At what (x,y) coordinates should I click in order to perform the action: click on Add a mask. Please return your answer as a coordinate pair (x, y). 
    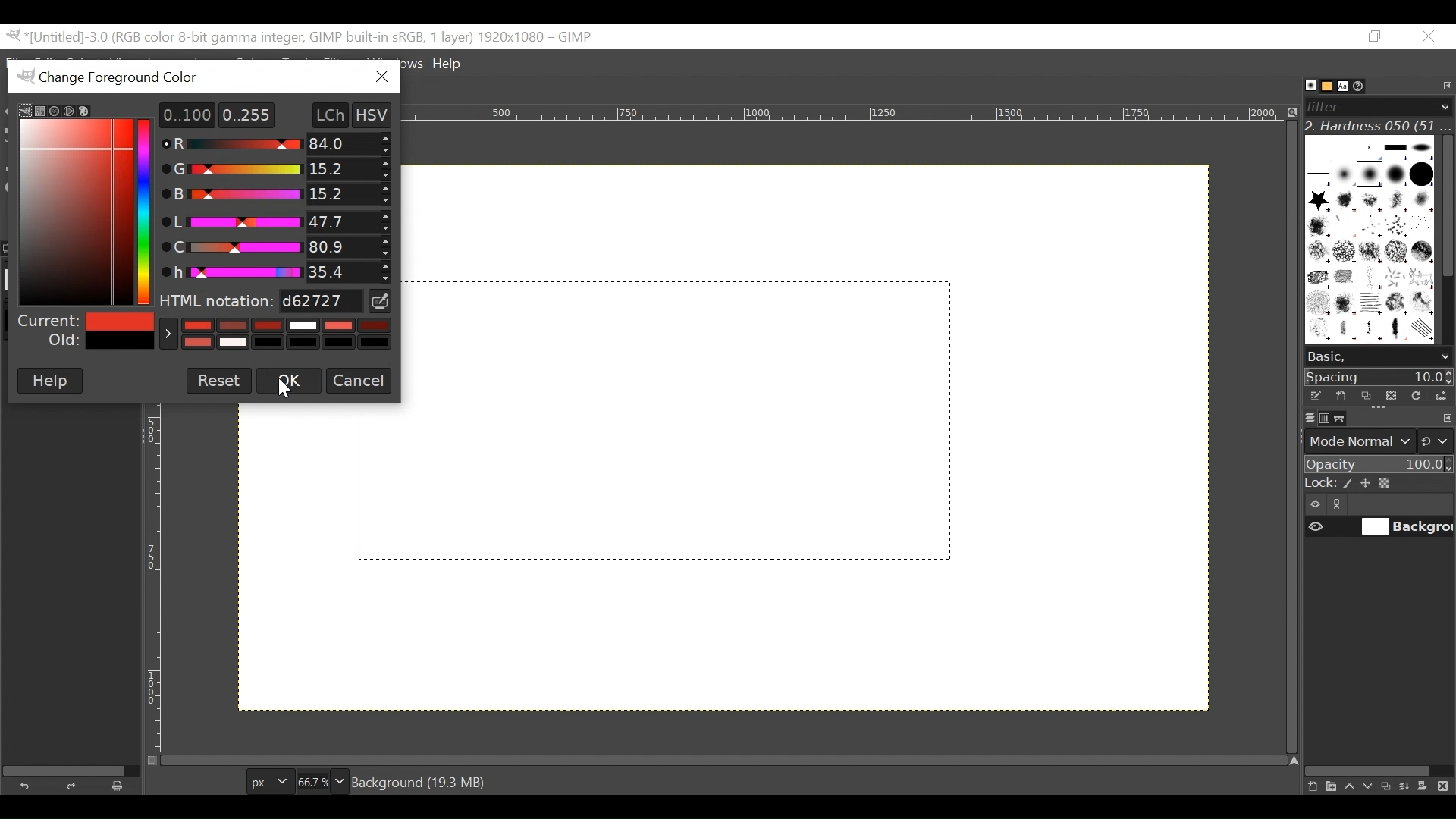
    Looking at the image, I should click on (1427, 789).